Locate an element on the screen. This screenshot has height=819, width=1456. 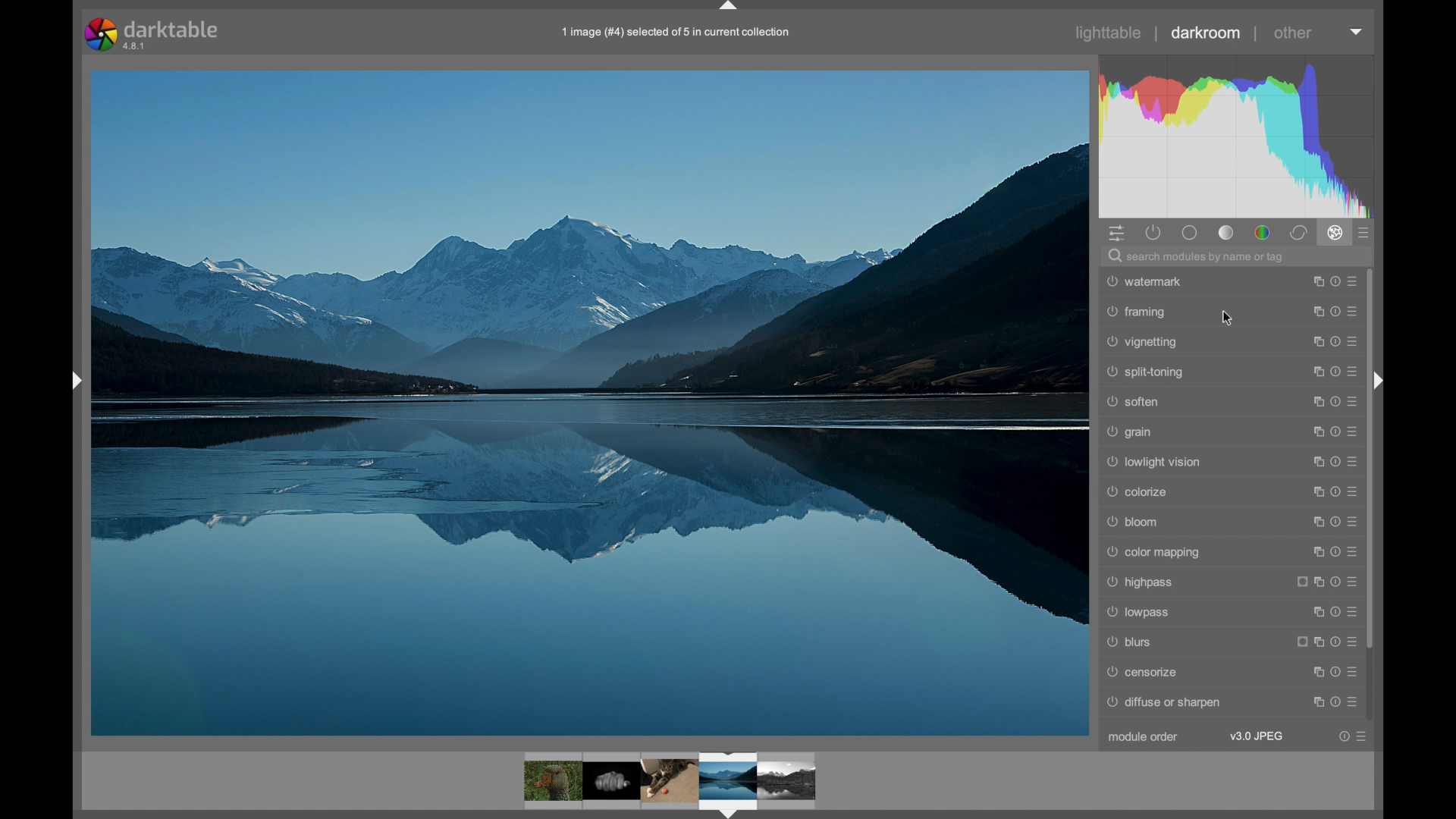
tone is located at coordinates (1188, 233).